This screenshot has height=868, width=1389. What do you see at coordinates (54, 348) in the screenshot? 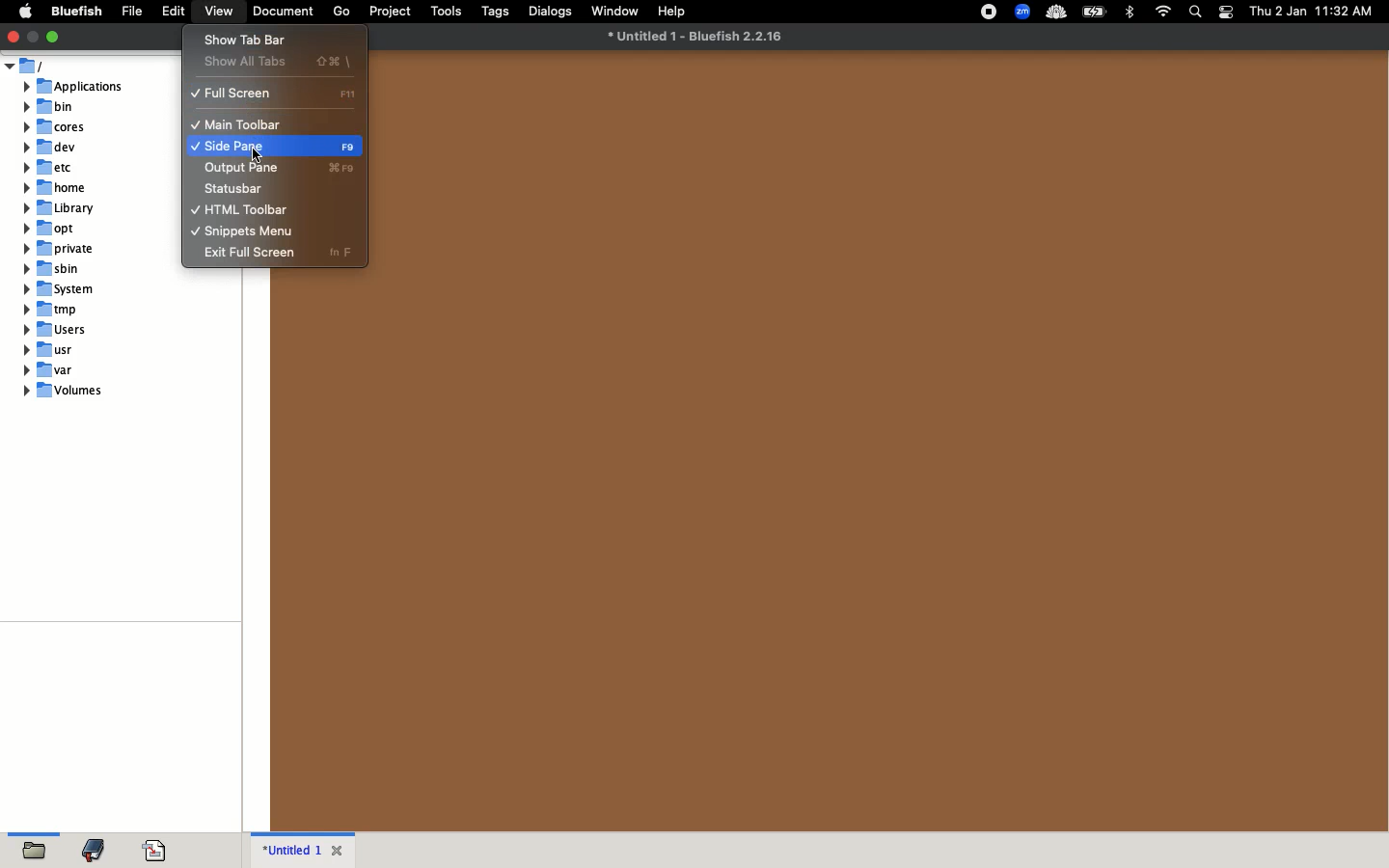
I see `usr` at bounding box center [54, 348].